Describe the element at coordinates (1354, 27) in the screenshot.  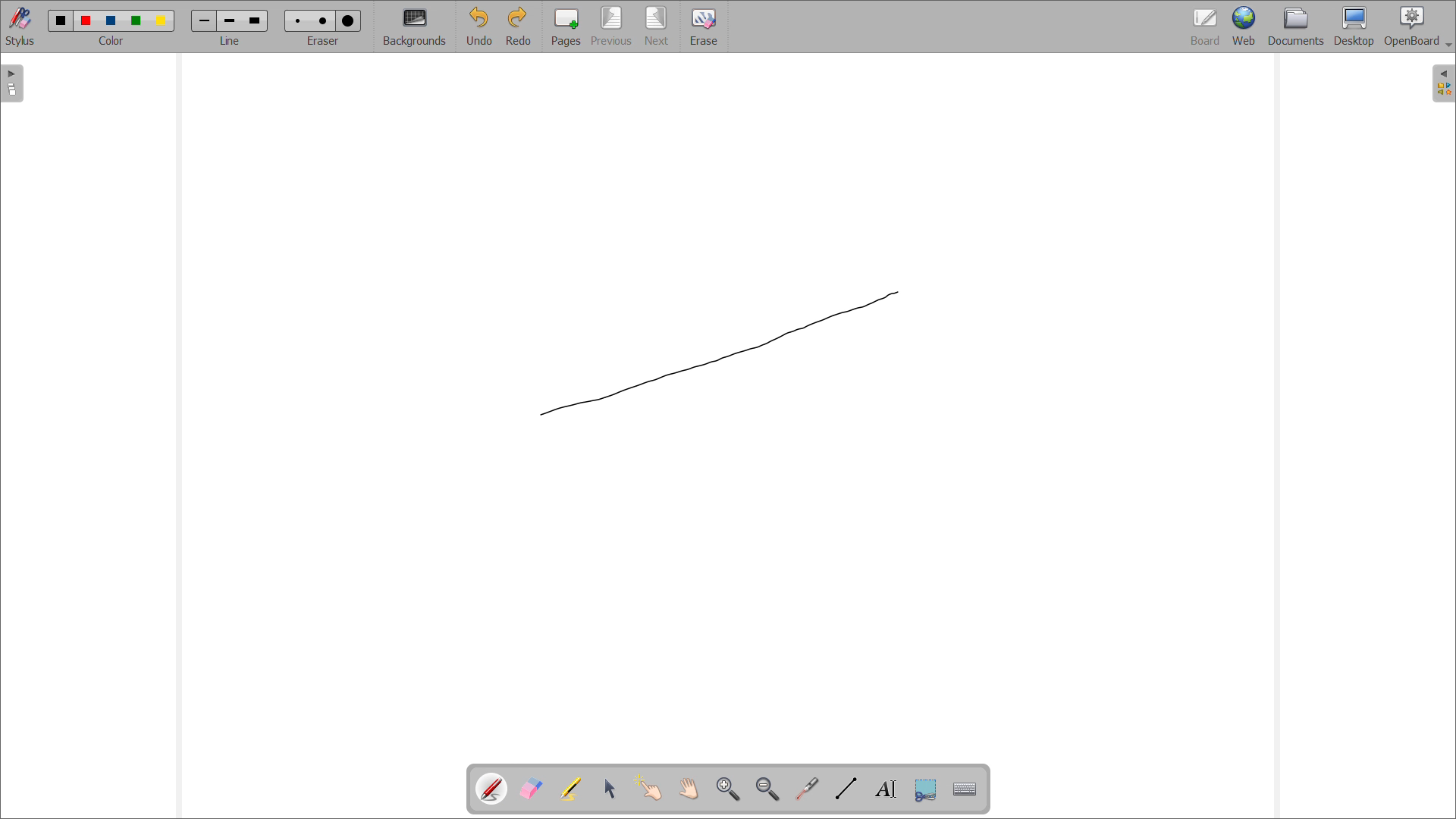
I see `desktop` at that location.